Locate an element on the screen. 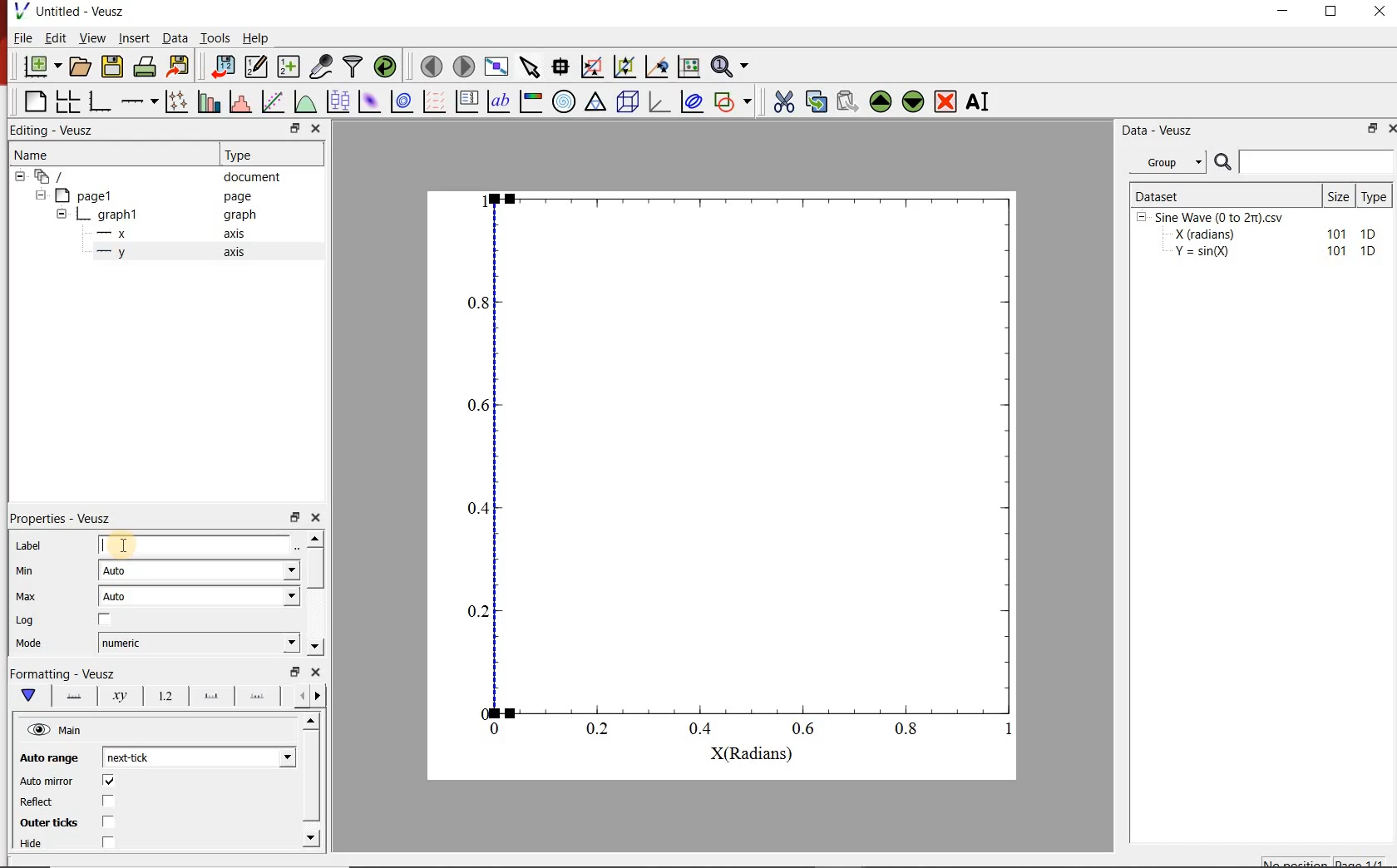 The height and width of the screenshot is (868, 1397). Page 1 Graph 1 is located at coordinates (80, 216).